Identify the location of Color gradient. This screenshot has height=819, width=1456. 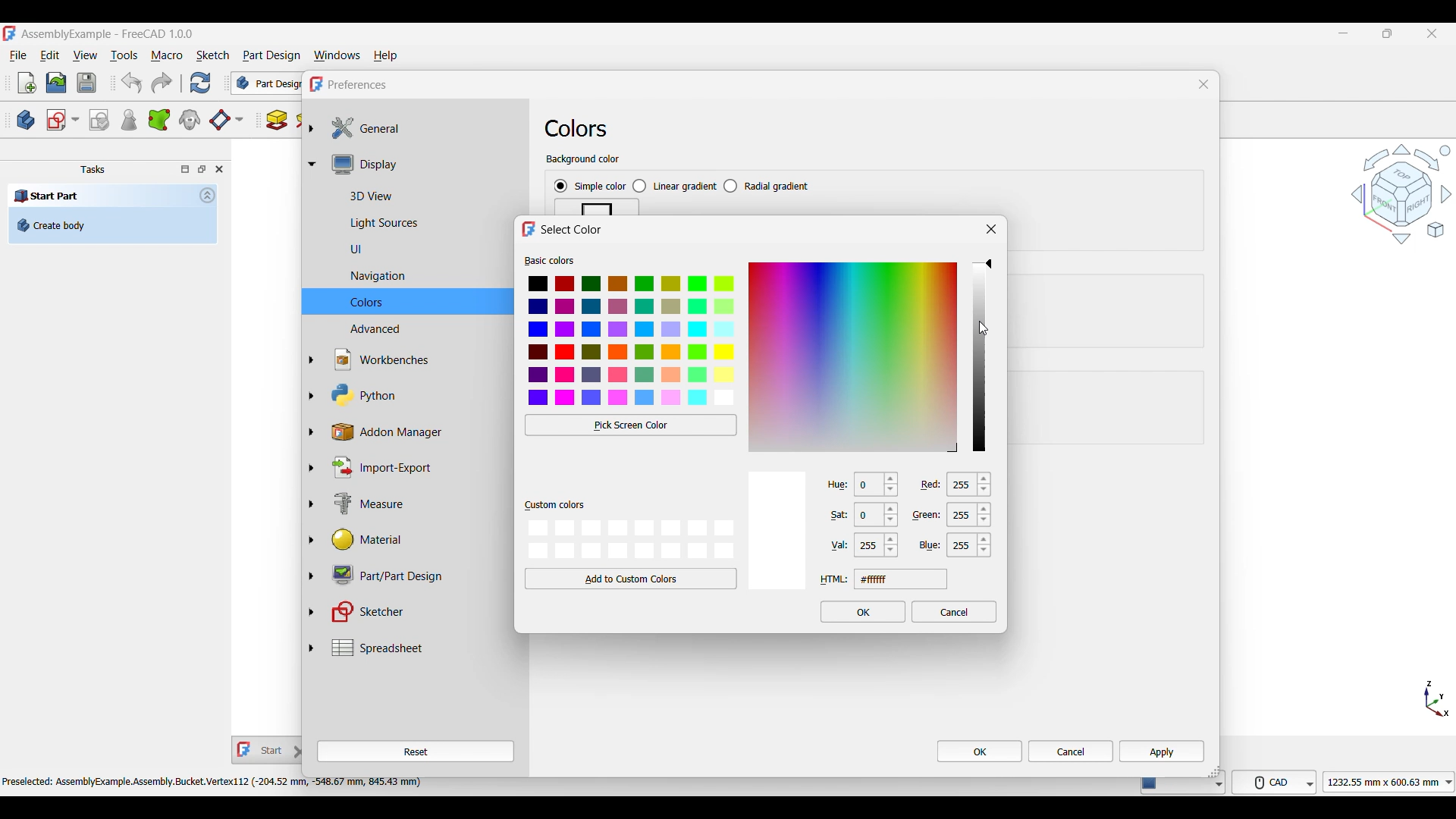
(853, 356).